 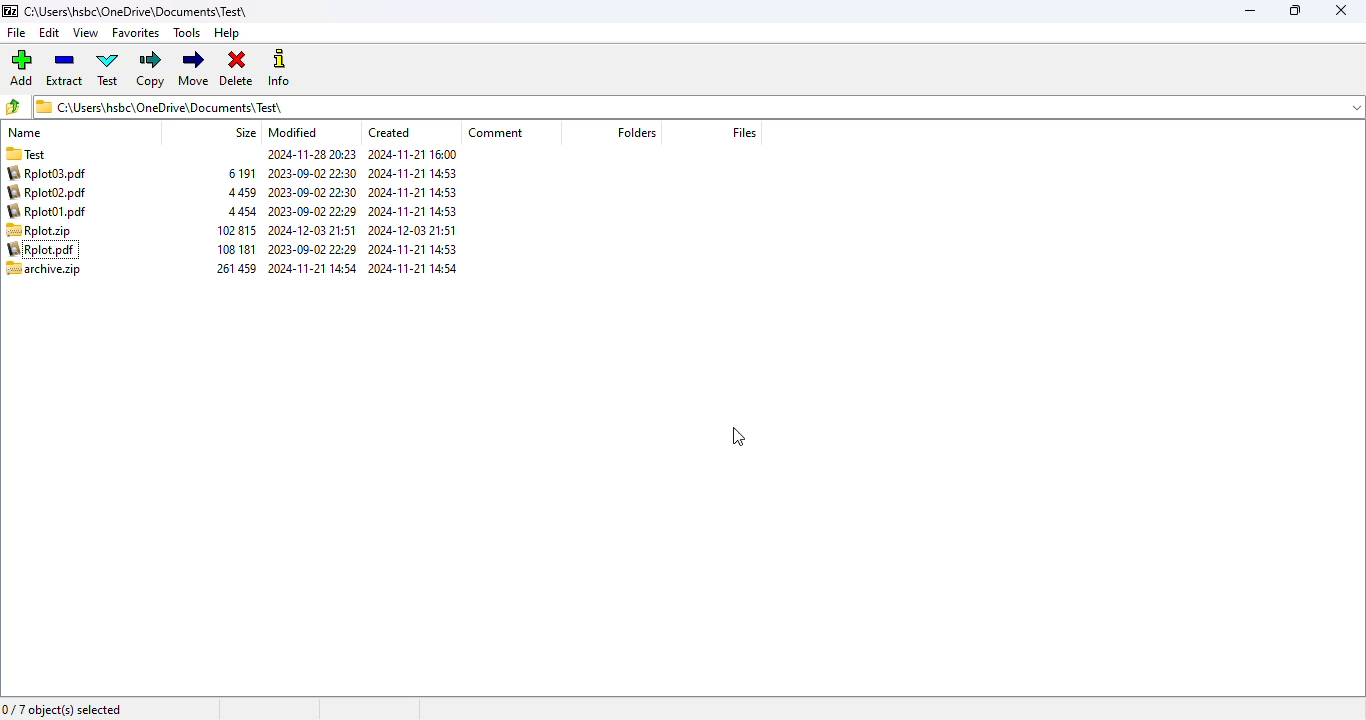 I want to click on edit, so click(x=50, y=32).